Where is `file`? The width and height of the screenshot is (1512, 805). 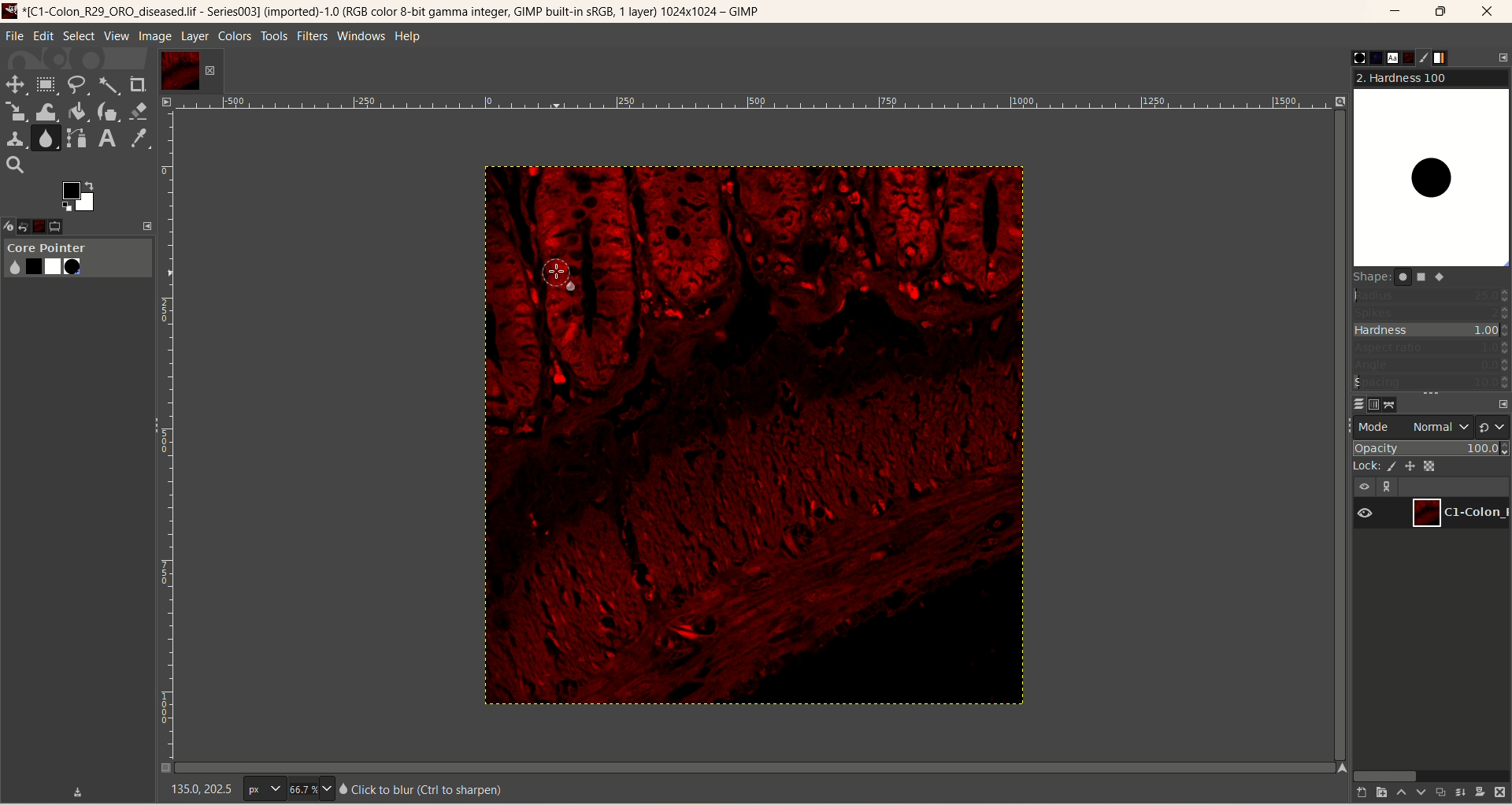 file is located at coordinates (15, 36).